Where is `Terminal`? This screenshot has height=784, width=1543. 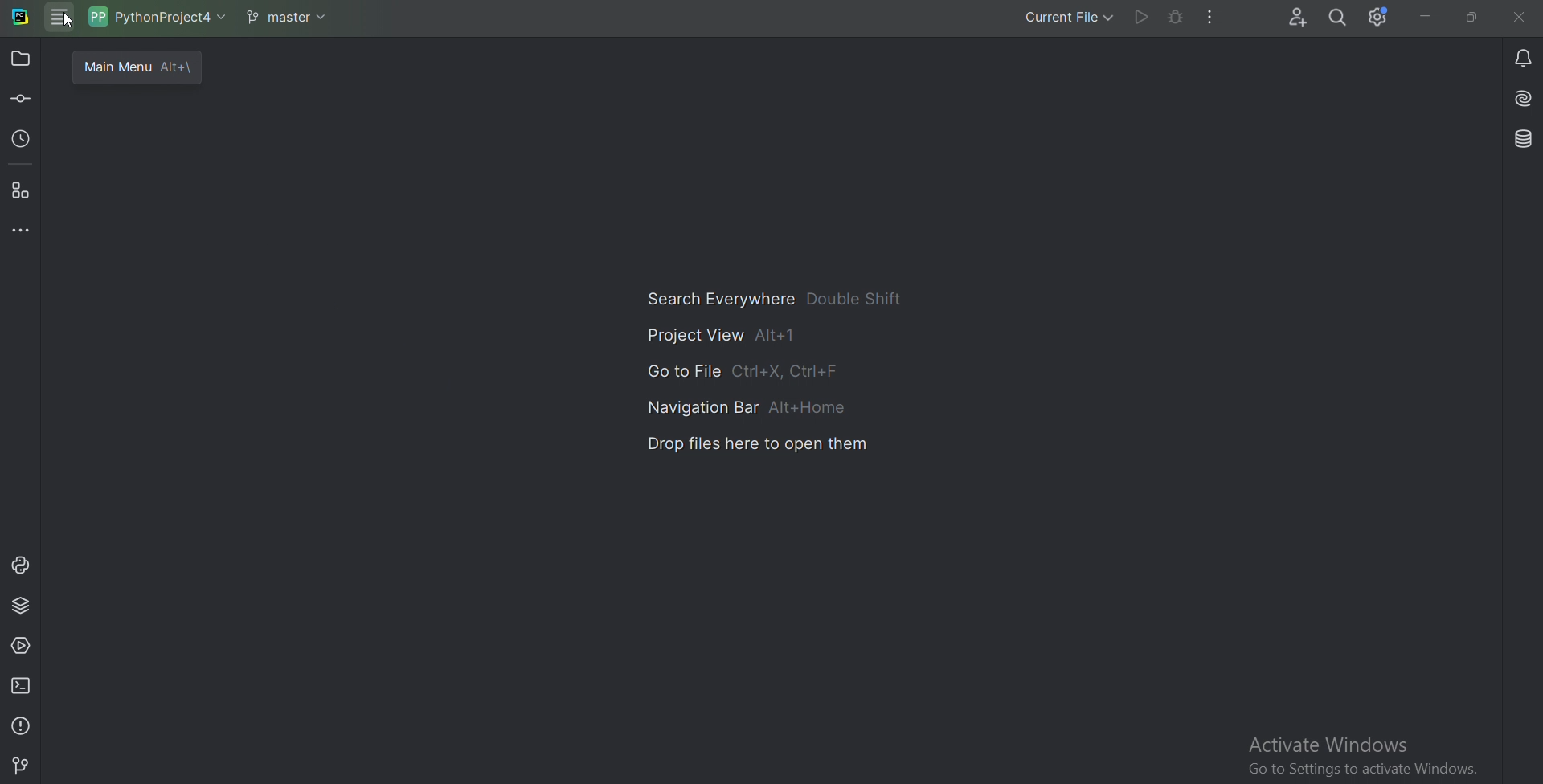 Terminal is located at coordinates (23, 685).